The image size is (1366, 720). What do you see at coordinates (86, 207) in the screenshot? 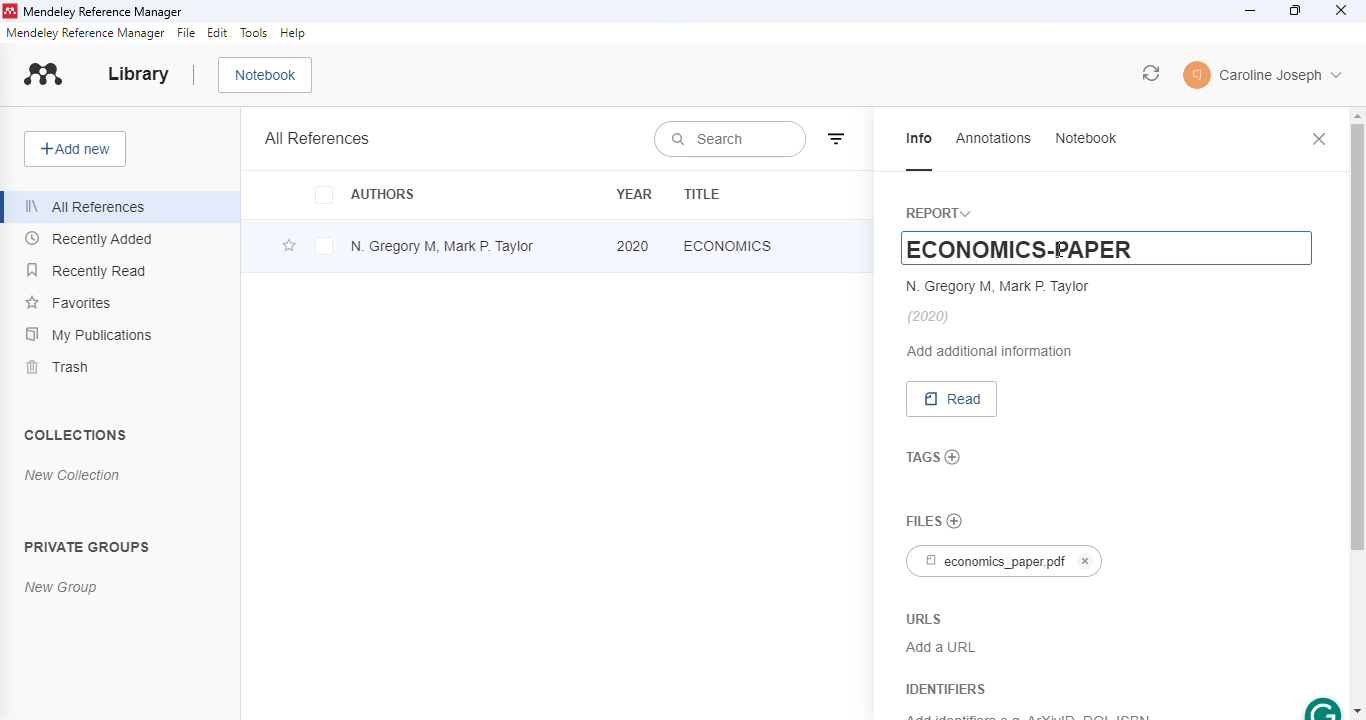
I see `all references` at bounding box center [86, 207].